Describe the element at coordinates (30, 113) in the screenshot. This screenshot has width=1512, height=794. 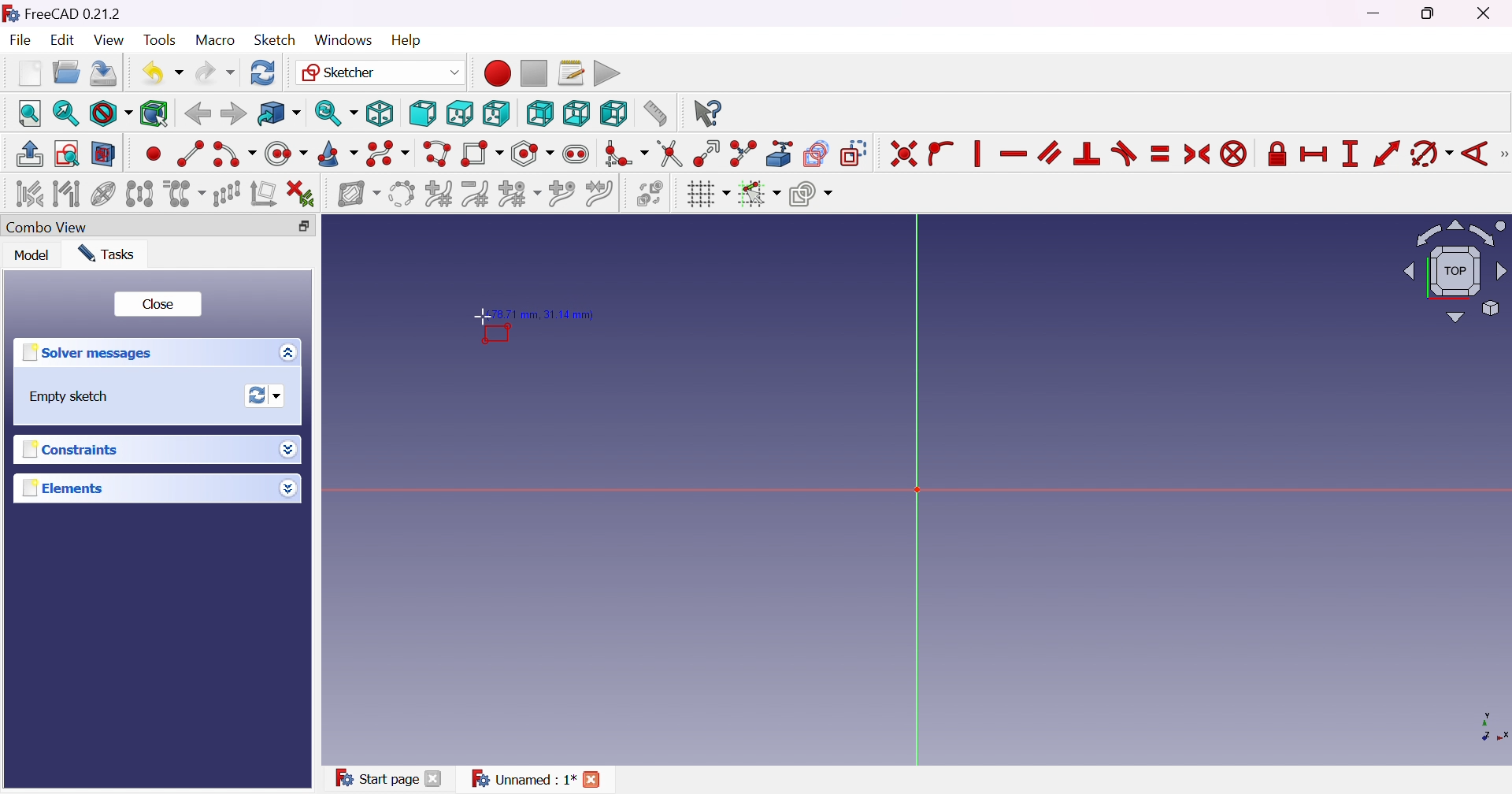
I see `Fit all` at that location.